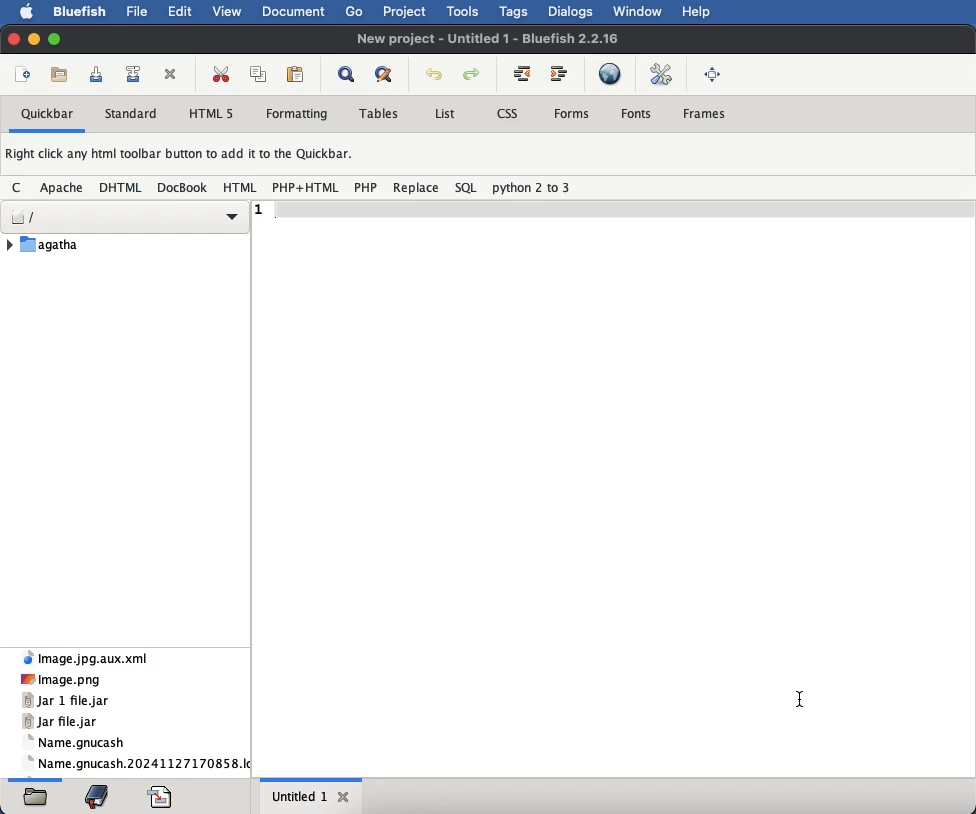 The width and height of the screenshot is (976, 814). I want to click on undo, so click(434, 75).